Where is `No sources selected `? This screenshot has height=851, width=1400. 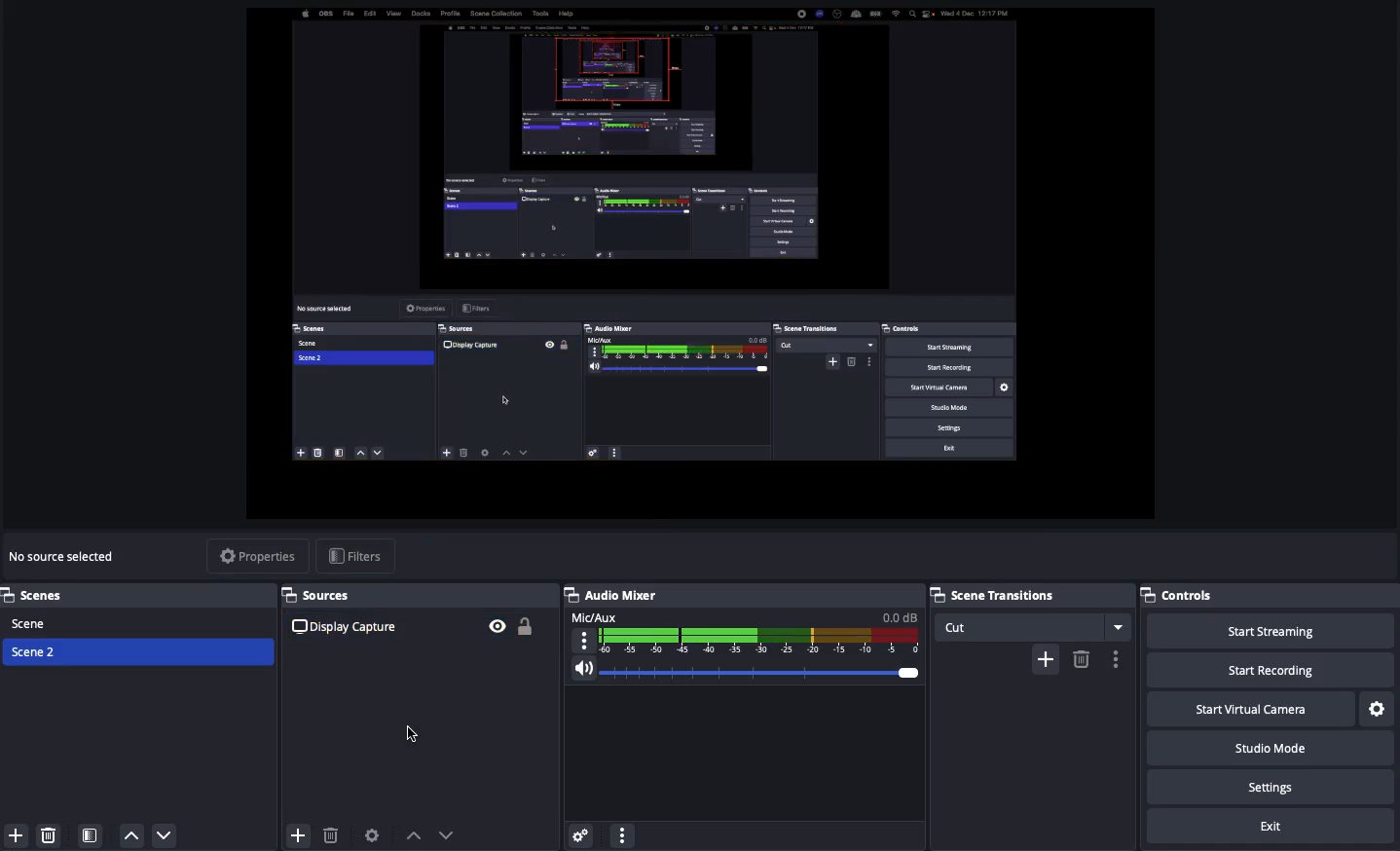 No sources selected  is located at coordinates (69, 558).